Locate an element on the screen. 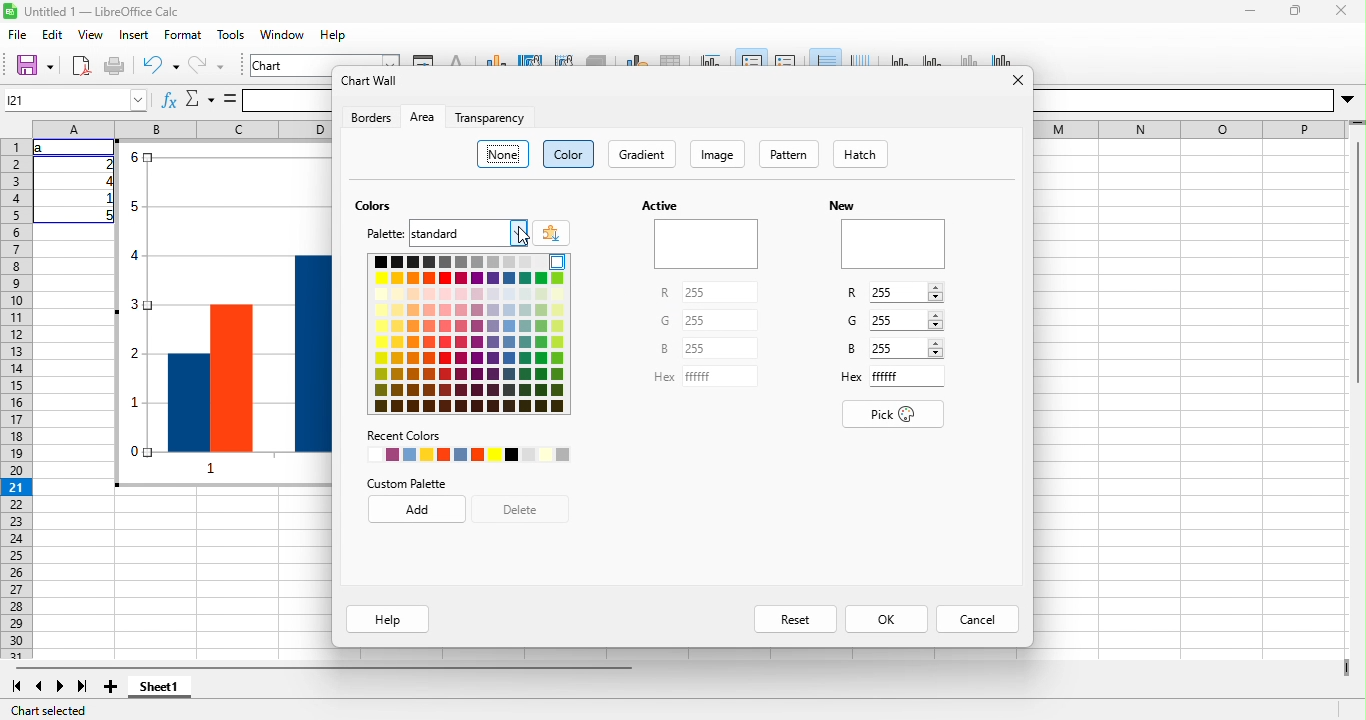 The width and height of the screenshot is (1366, 720). borders is located at coordinates (371, 117).